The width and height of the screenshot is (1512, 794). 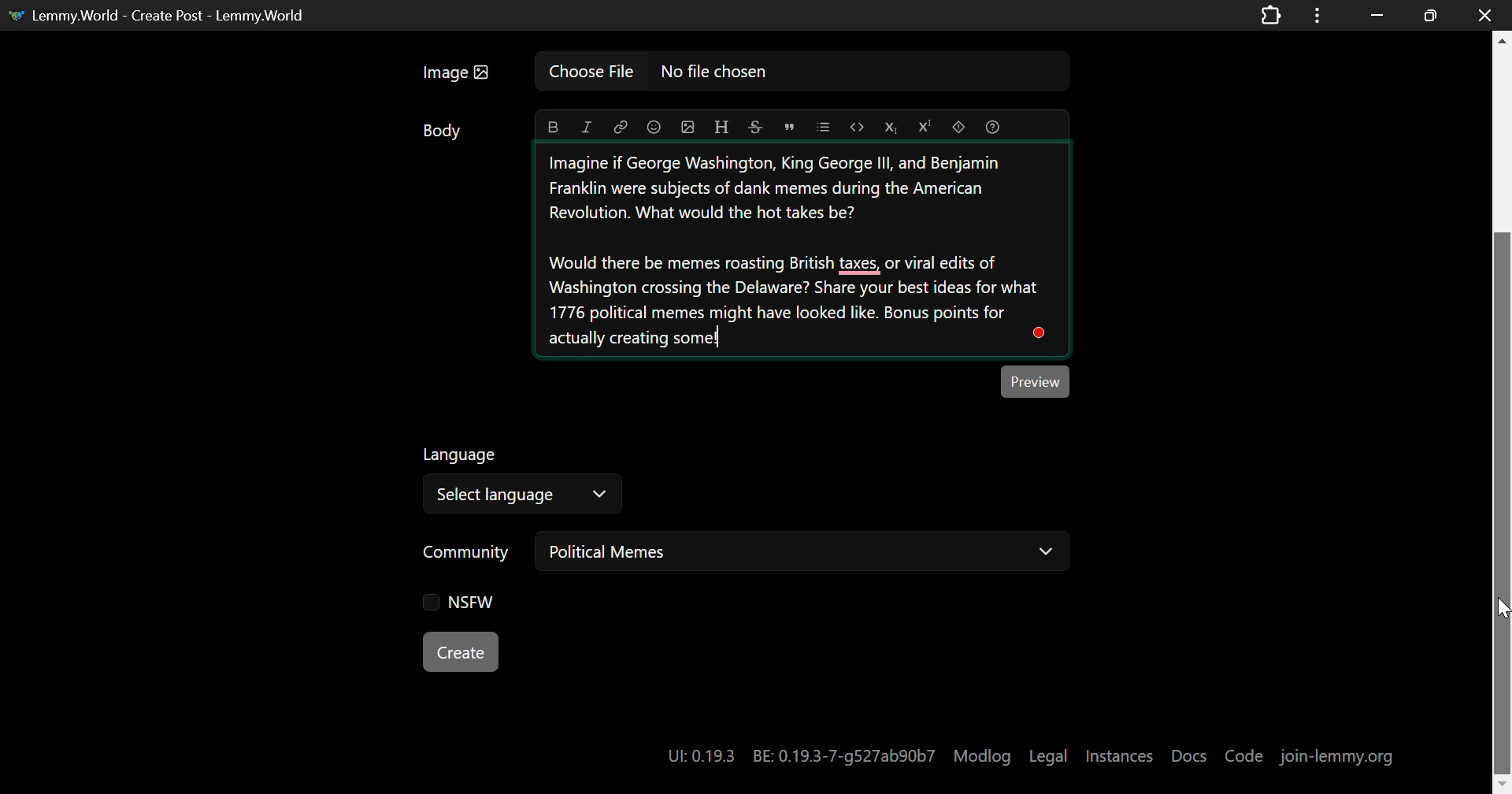 I want to click on Select Post Community, so click(x=746, y=552).